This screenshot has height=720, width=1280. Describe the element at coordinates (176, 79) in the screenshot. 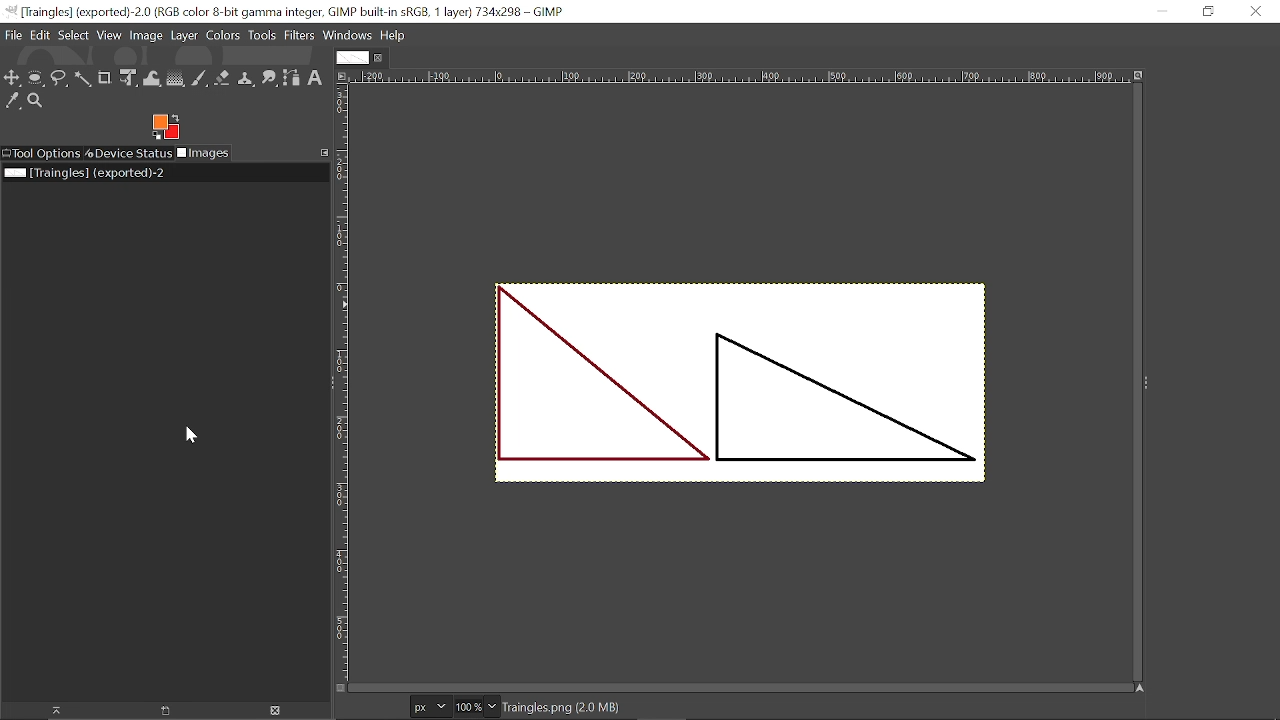

I see `Gradient tool` at that location.